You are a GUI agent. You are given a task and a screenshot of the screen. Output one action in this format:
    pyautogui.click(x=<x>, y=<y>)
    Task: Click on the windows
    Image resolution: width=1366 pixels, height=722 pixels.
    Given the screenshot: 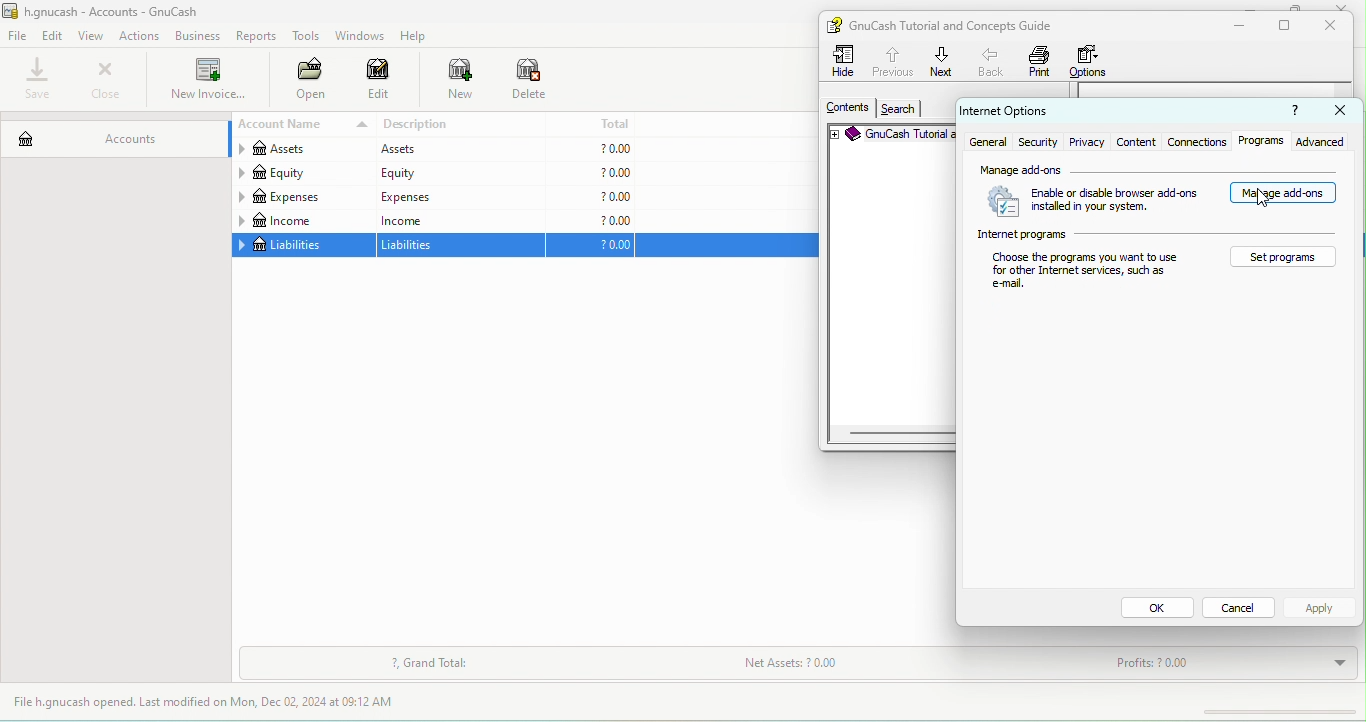 What is the action you would take?
    pyautogui.click(x=358, y=36)
    